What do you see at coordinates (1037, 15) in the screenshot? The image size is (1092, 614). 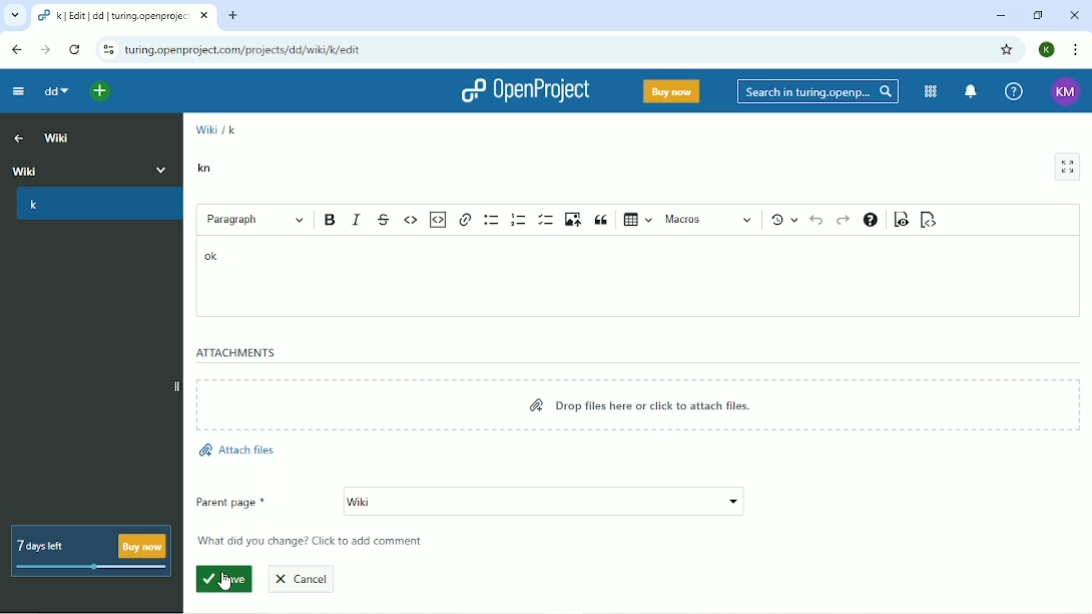 I see `Restore down` at bounding box center [1037, 15].